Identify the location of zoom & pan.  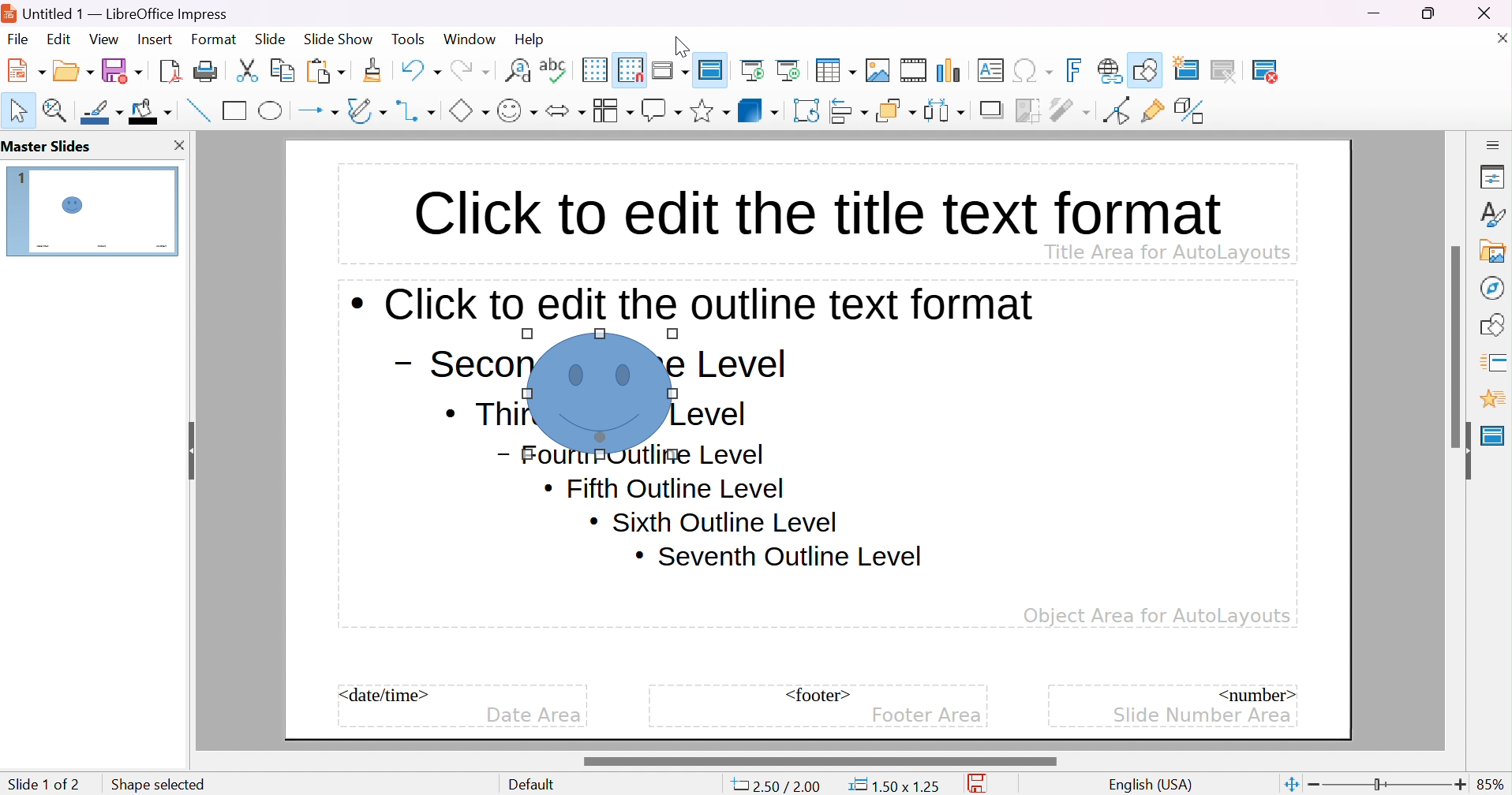
(58, 110).